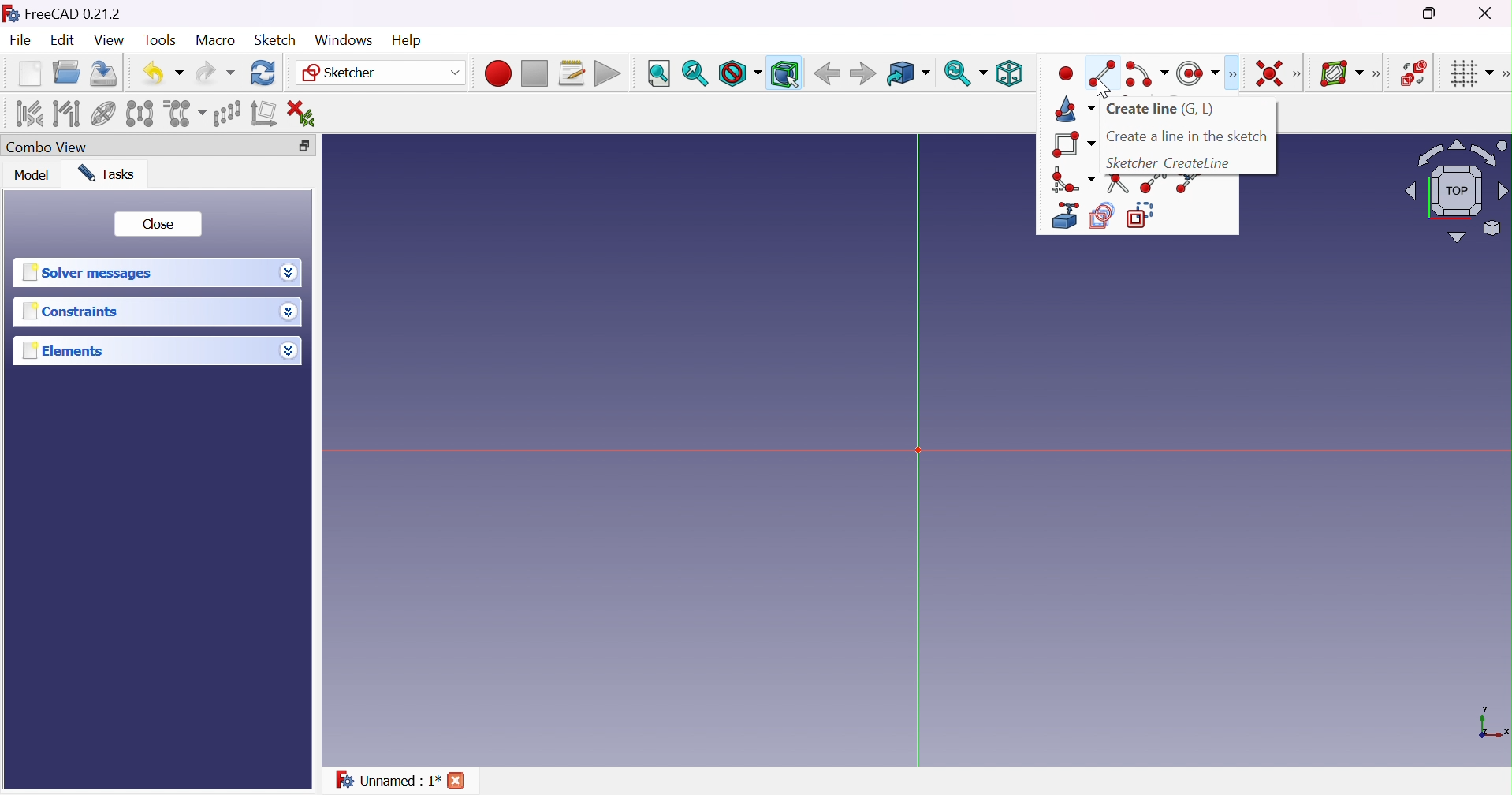 The image size is (1512, 795). I want to click on Sync view, so click(966, 73).